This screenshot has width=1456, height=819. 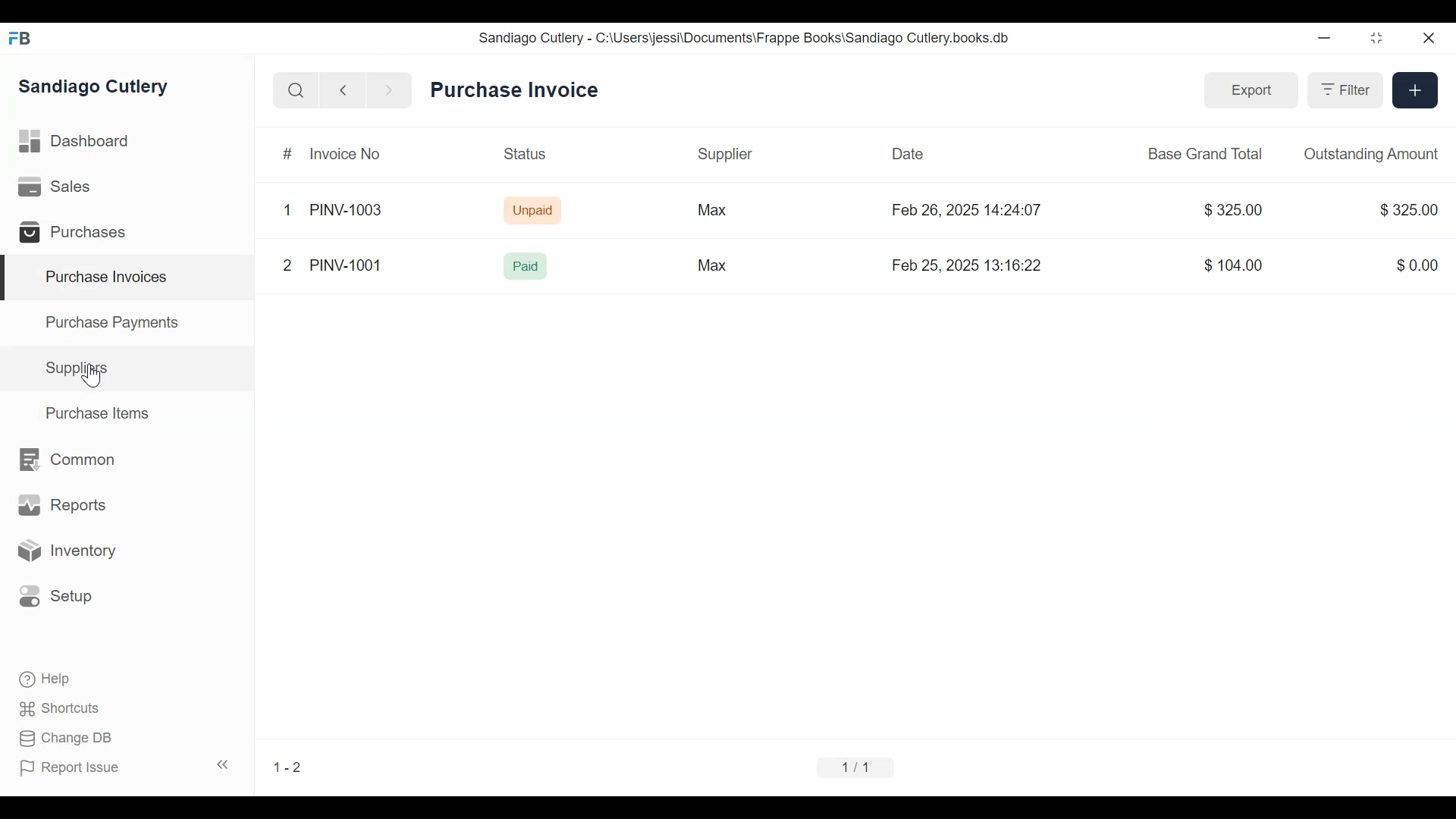 I want to click on Filter, so click(x=1345, y=90).